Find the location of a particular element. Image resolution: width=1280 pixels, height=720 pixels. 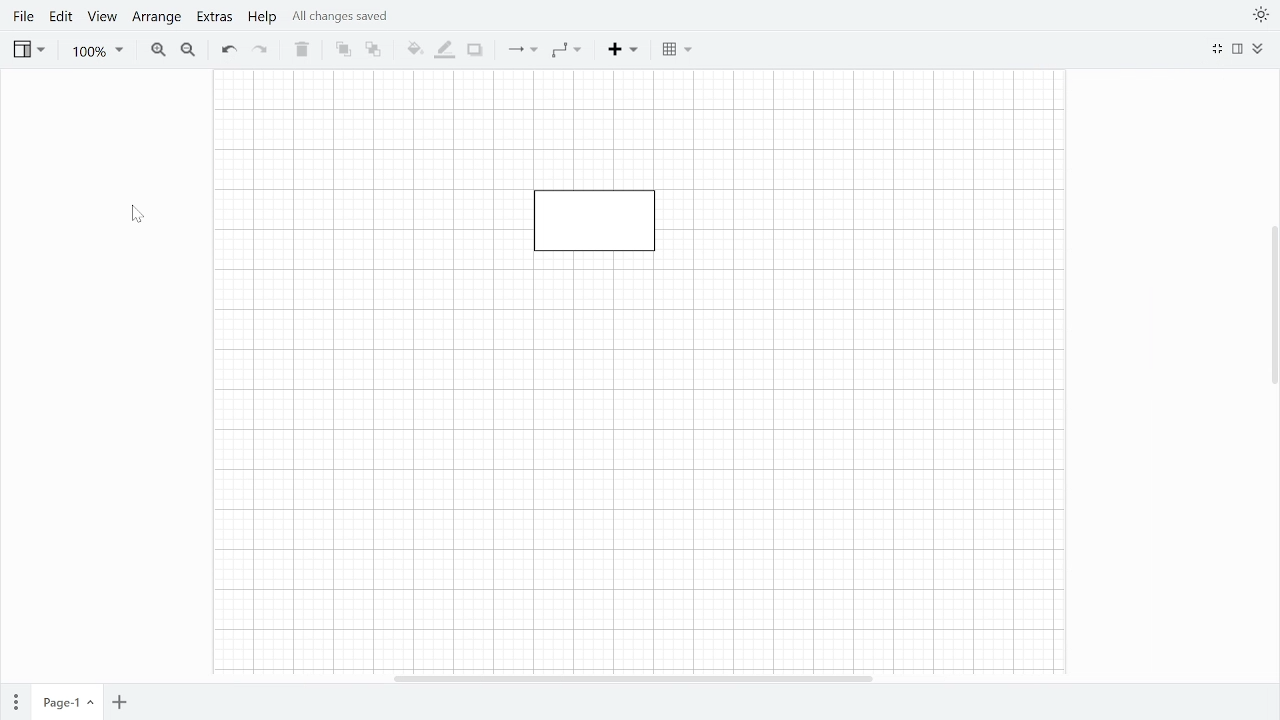

Page fit to width is located at coordinates (605, 374).